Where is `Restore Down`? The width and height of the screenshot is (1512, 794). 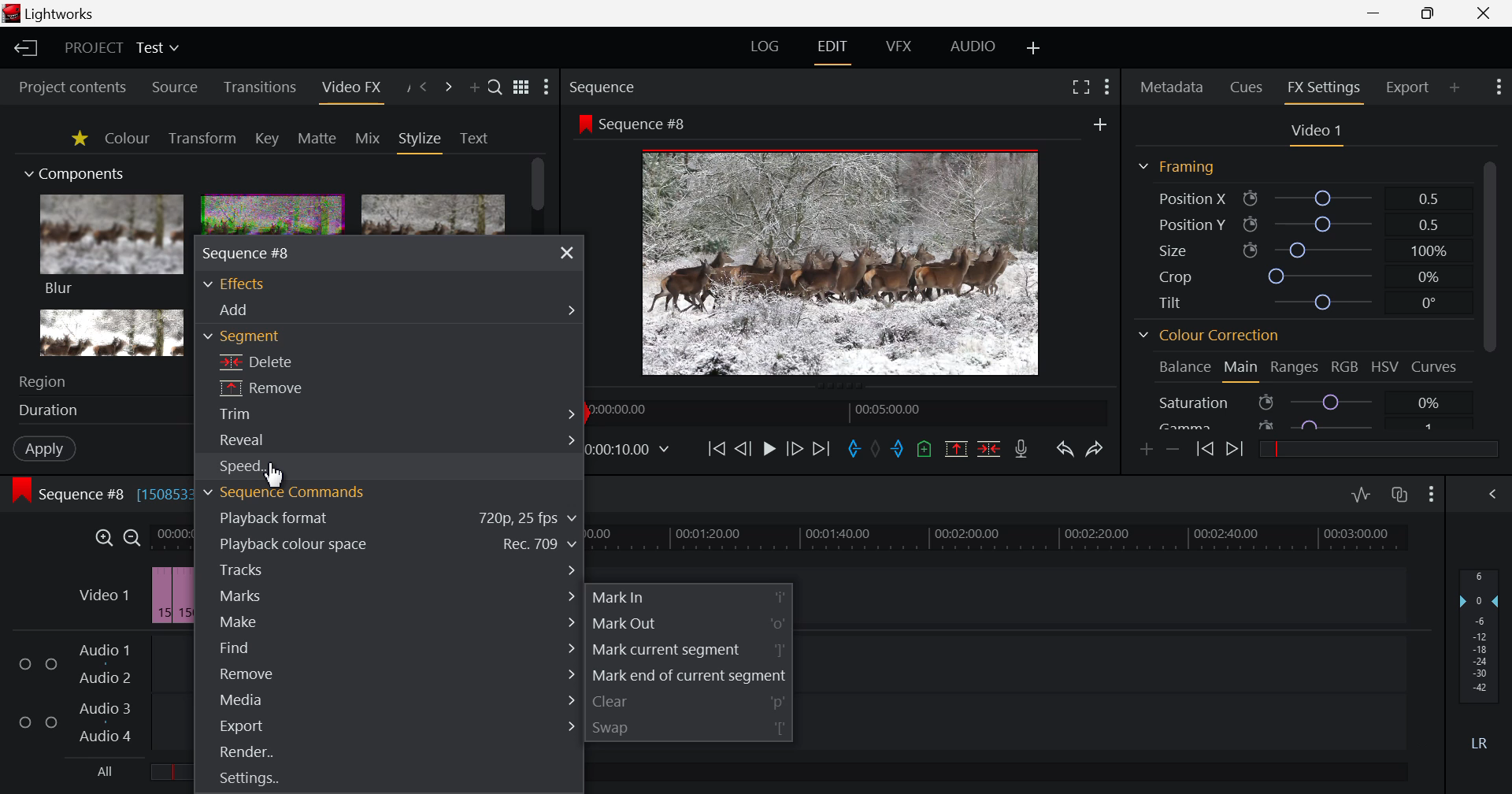
Restore Down is located at coordinates (1376, 13).